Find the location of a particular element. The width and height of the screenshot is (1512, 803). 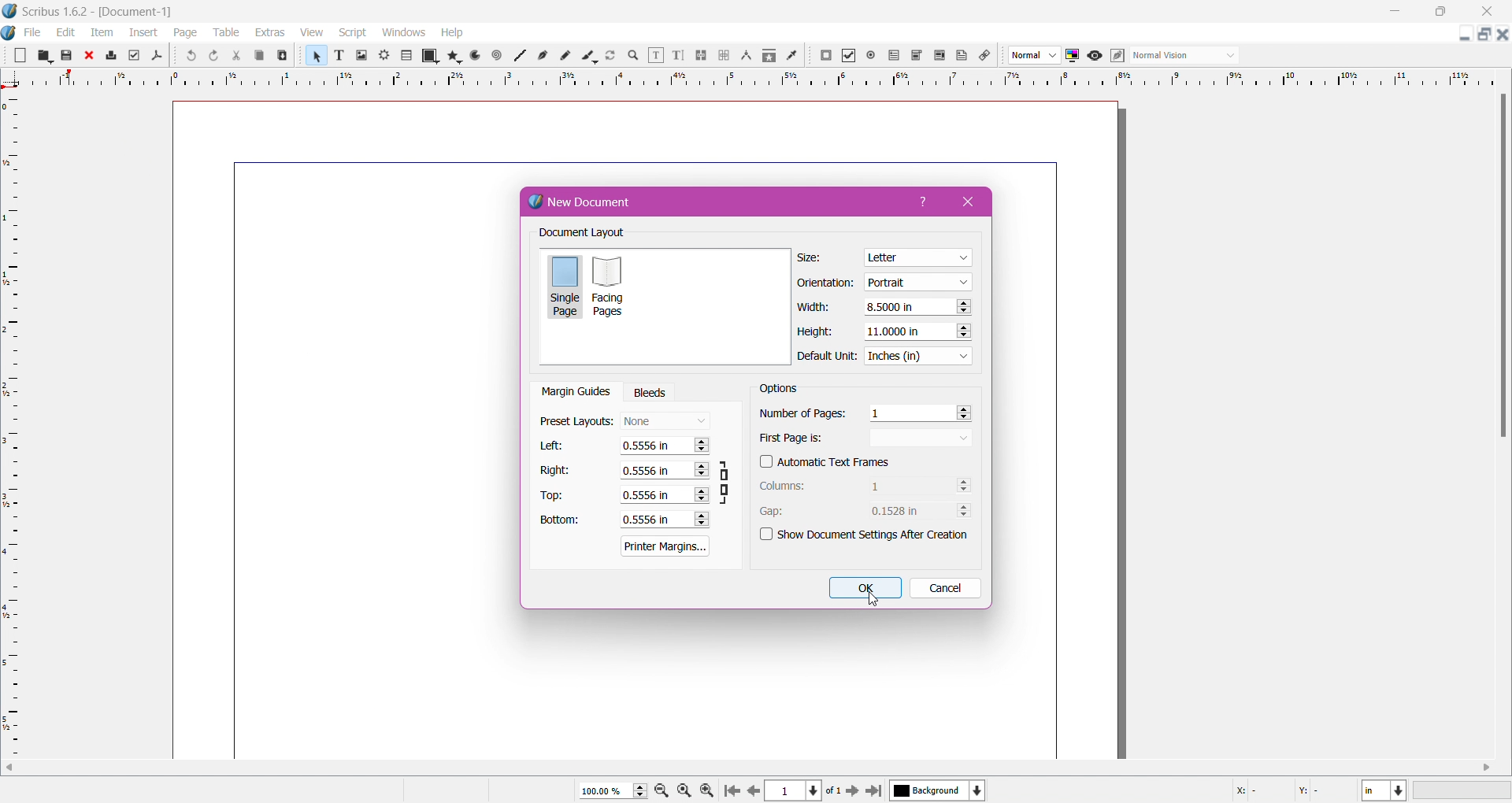

options is located at coordinates (784, 386).